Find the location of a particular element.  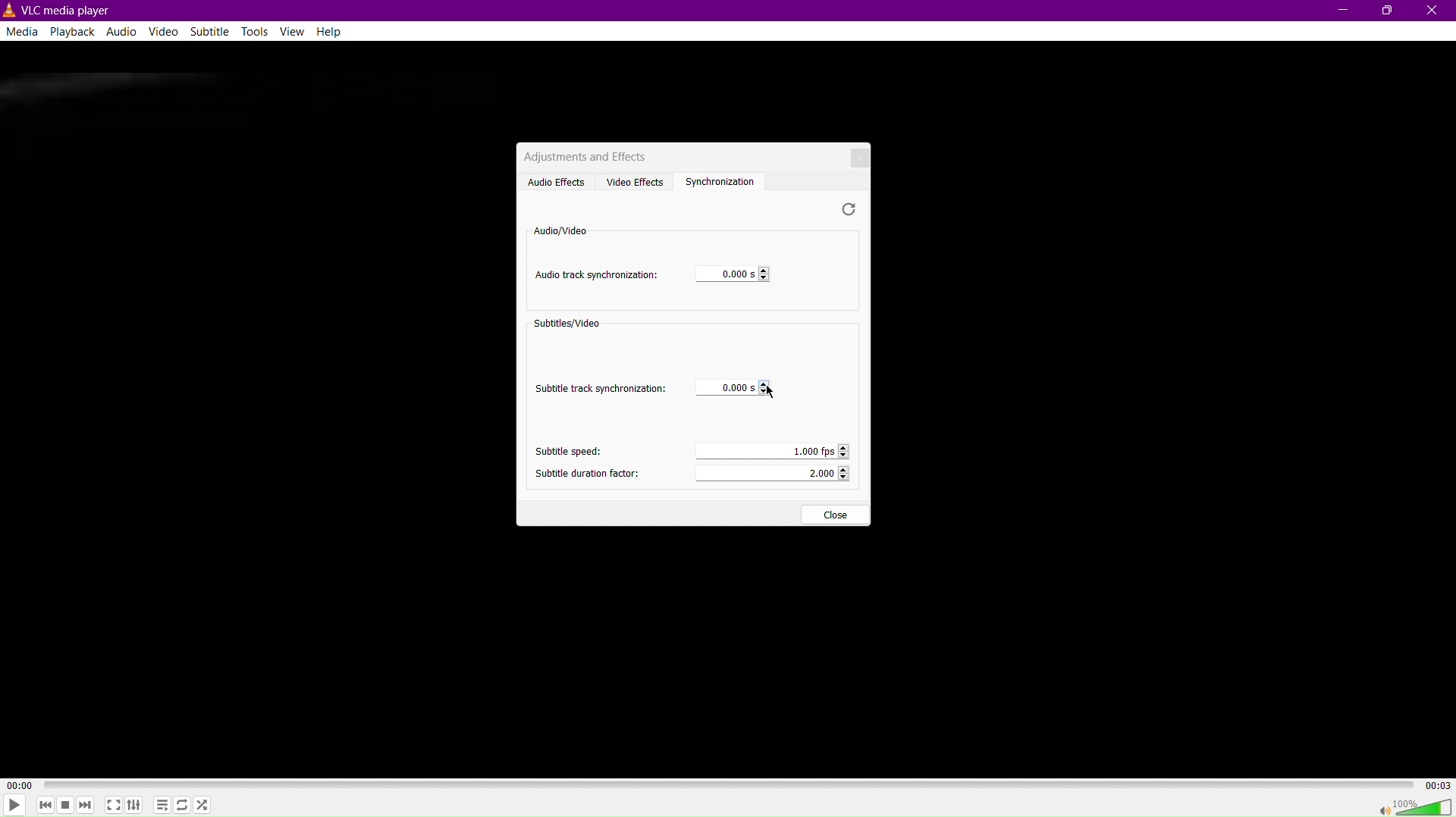

mute/unmute is located at coordinates (1379, 809).